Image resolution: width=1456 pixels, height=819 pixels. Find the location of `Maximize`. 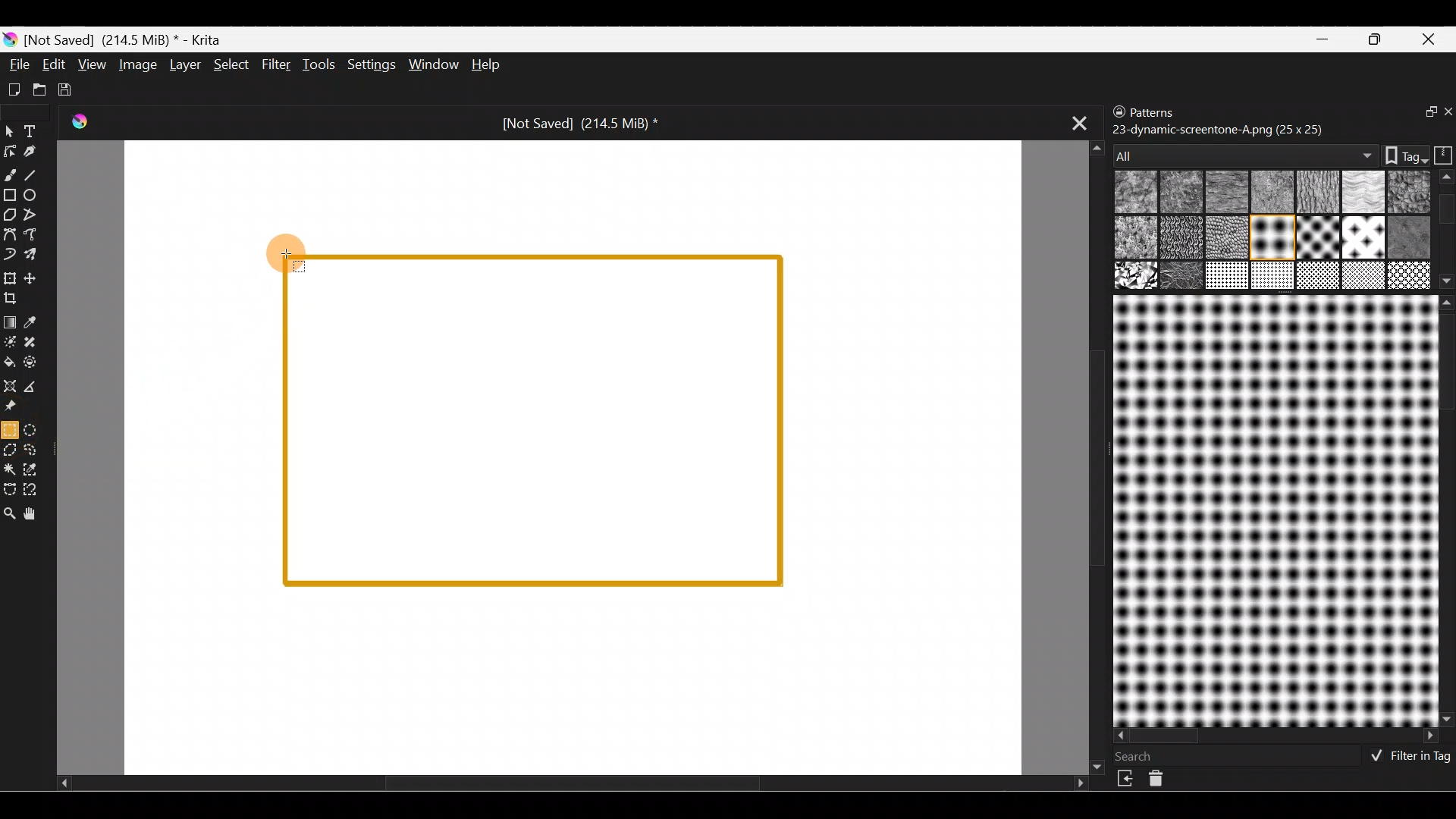

Maximize is located at coordinates (1379, 39).